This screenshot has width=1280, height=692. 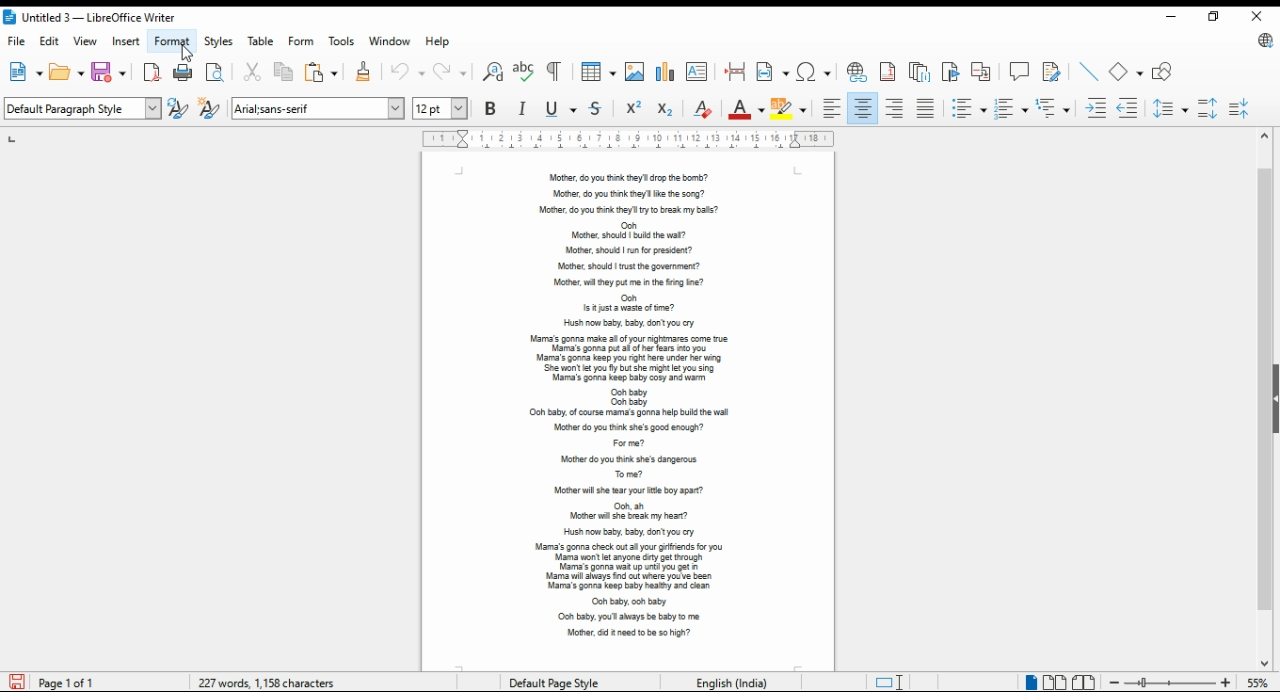 I want to click on multi page view, so click(x=1053, y=682).